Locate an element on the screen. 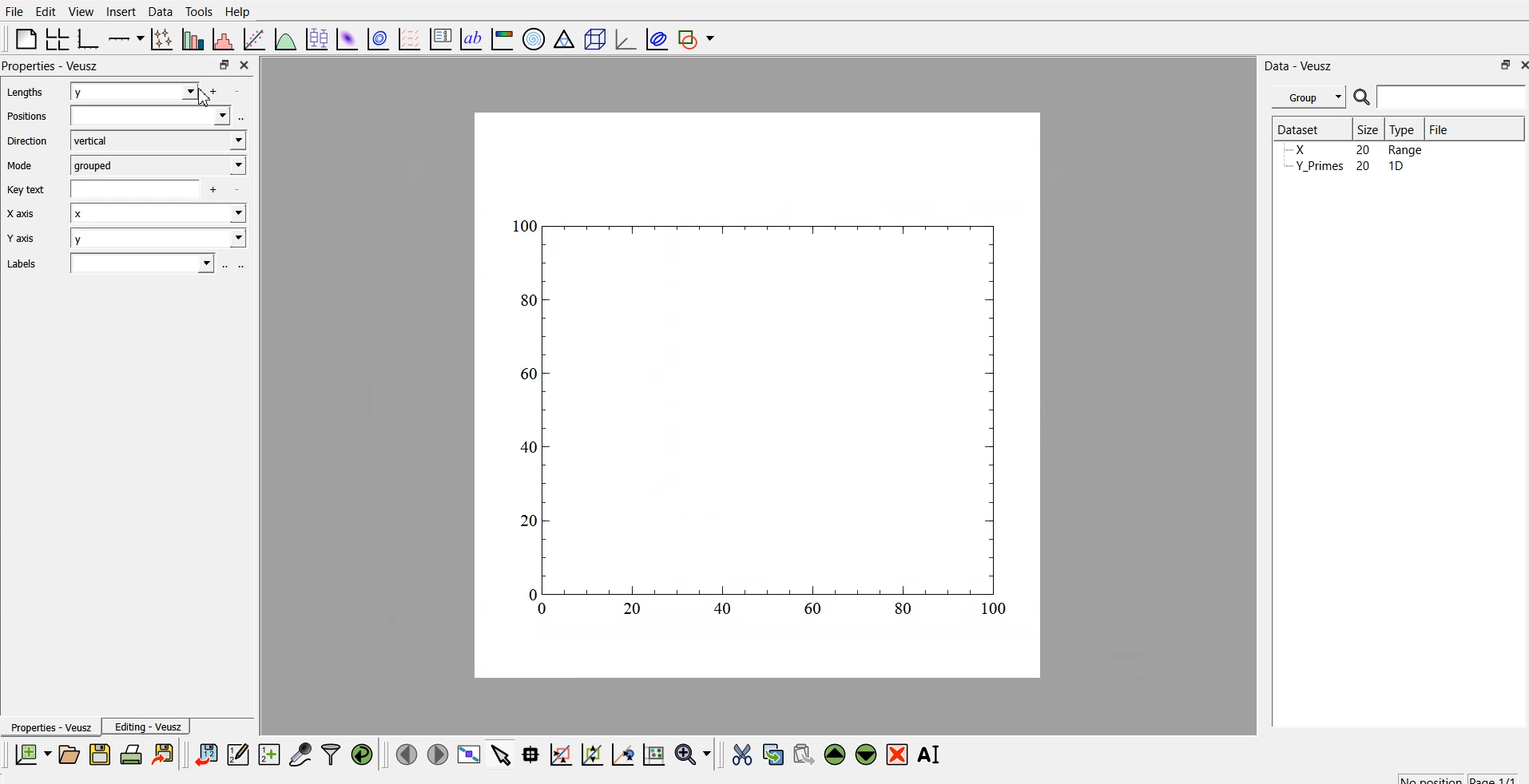 This screenshot has width=1529, height=784. y planes... 20 10 is located at coordinates (1352, 168).